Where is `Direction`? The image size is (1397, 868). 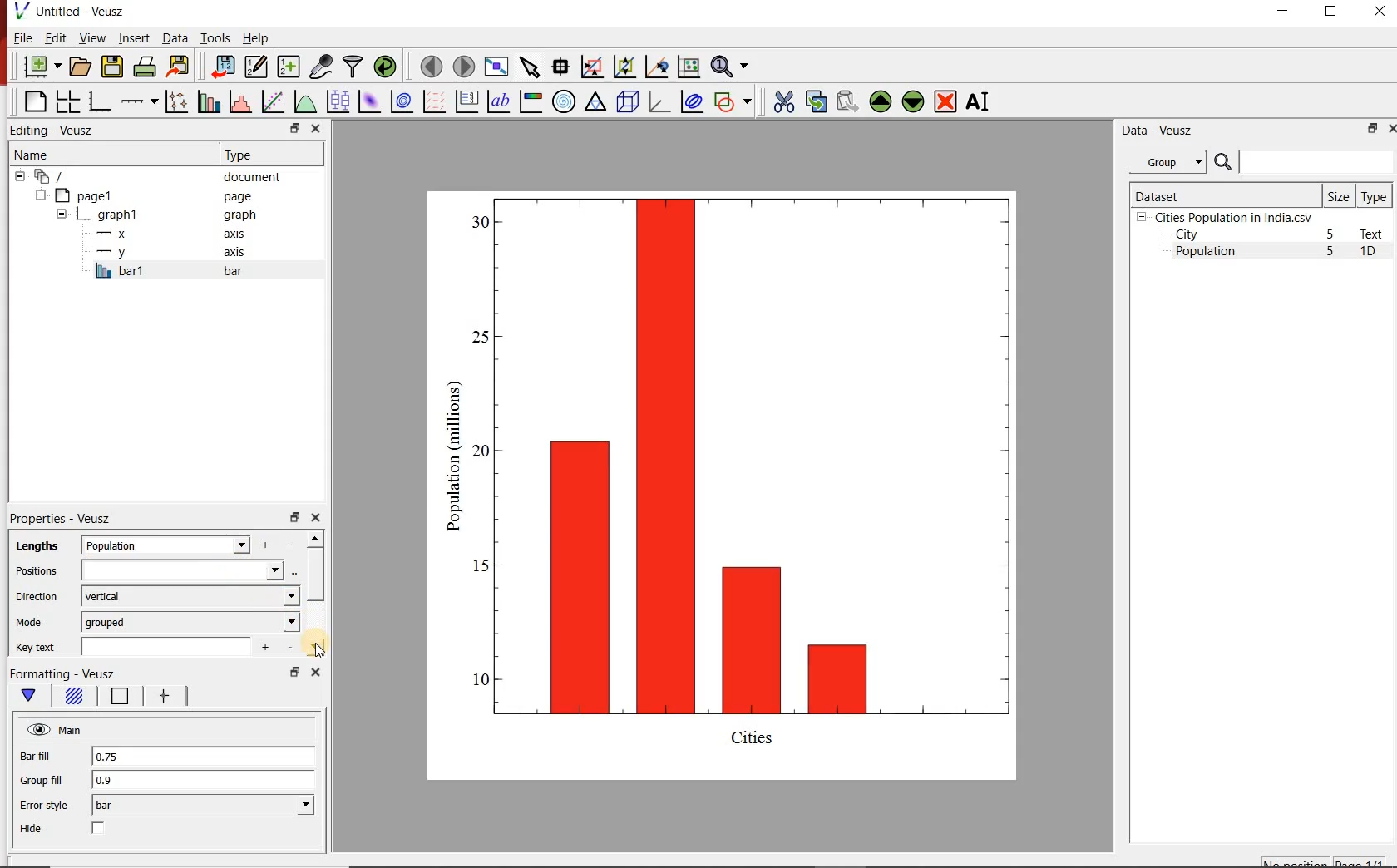 Direction is located at coordinates (35, 596).